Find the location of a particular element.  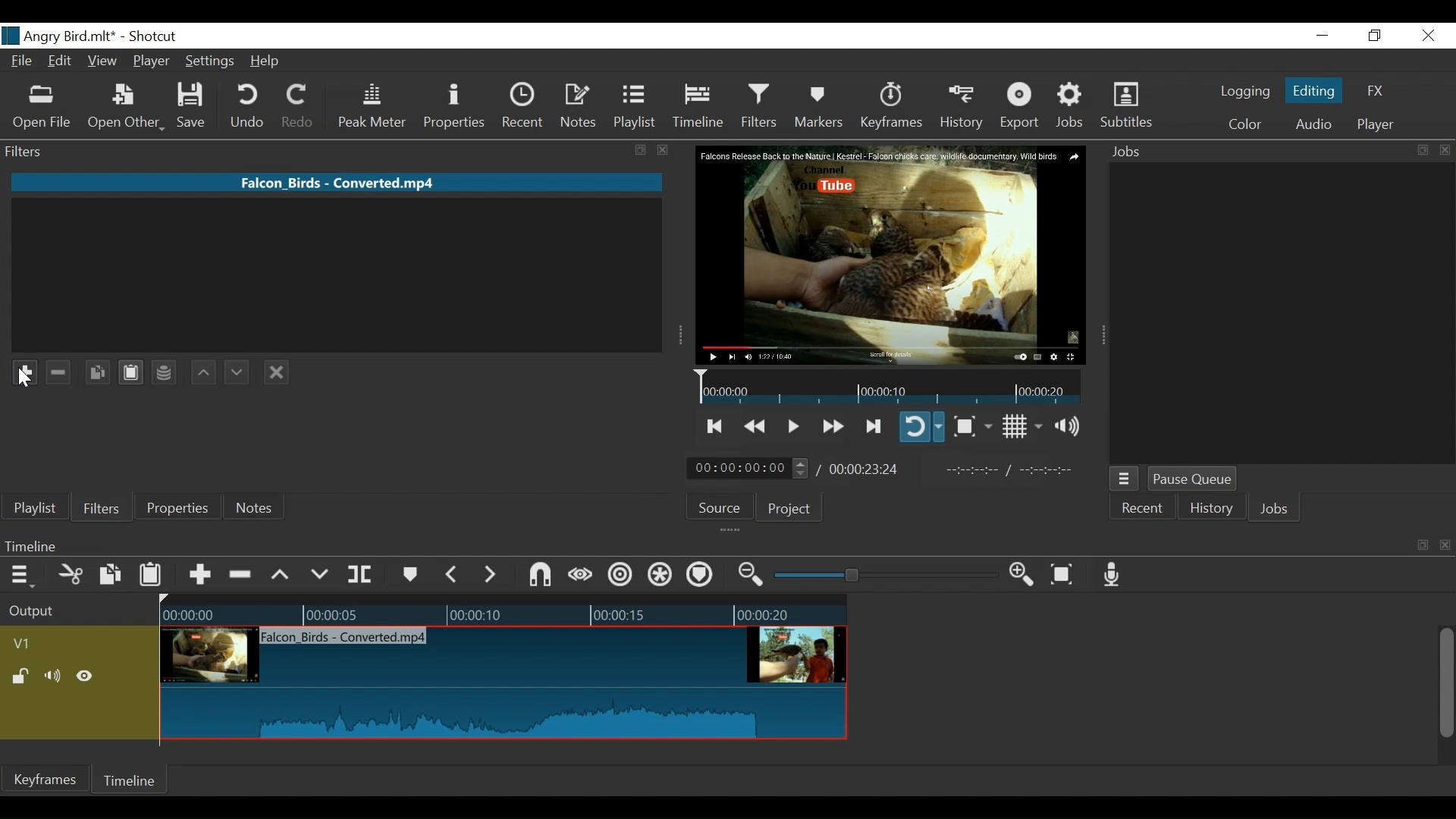

copy is located at coordinates (1421, 150).